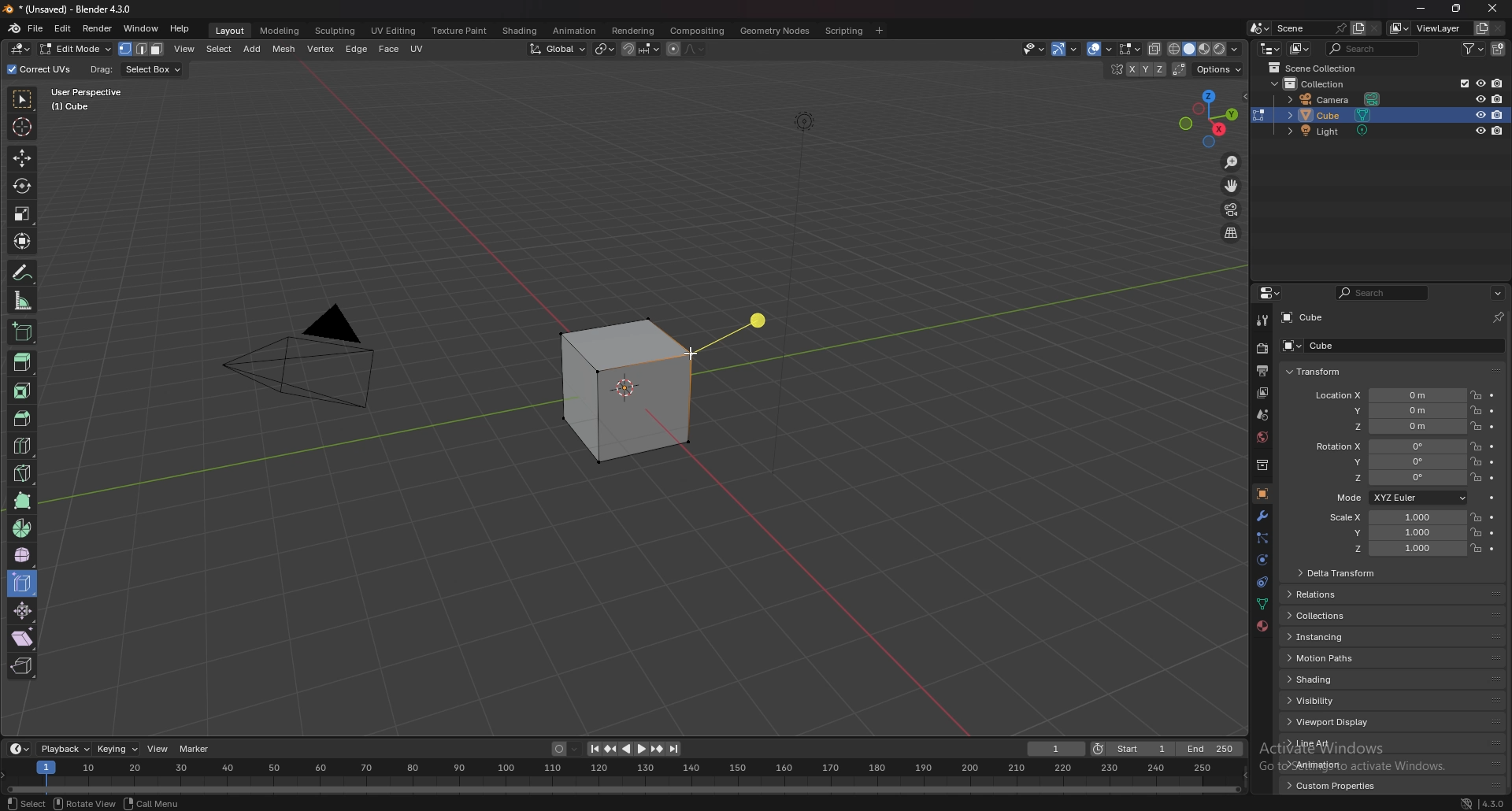 This screenshot has width=1512, height=811. Describe the element at coordinates (1232, 209) in the screenshot. I see `camera view` at that location.